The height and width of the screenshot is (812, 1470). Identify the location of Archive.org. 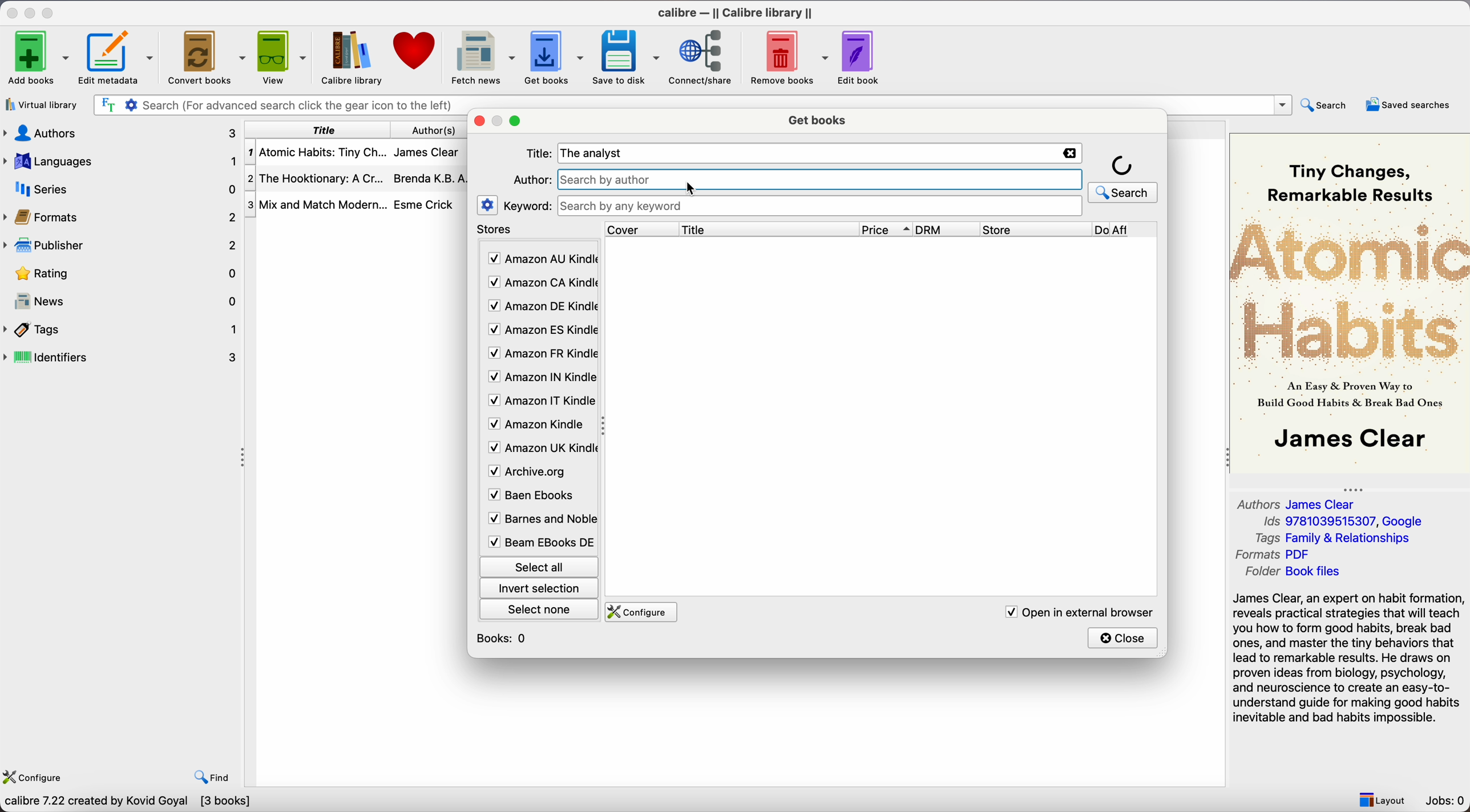
(538, 472).